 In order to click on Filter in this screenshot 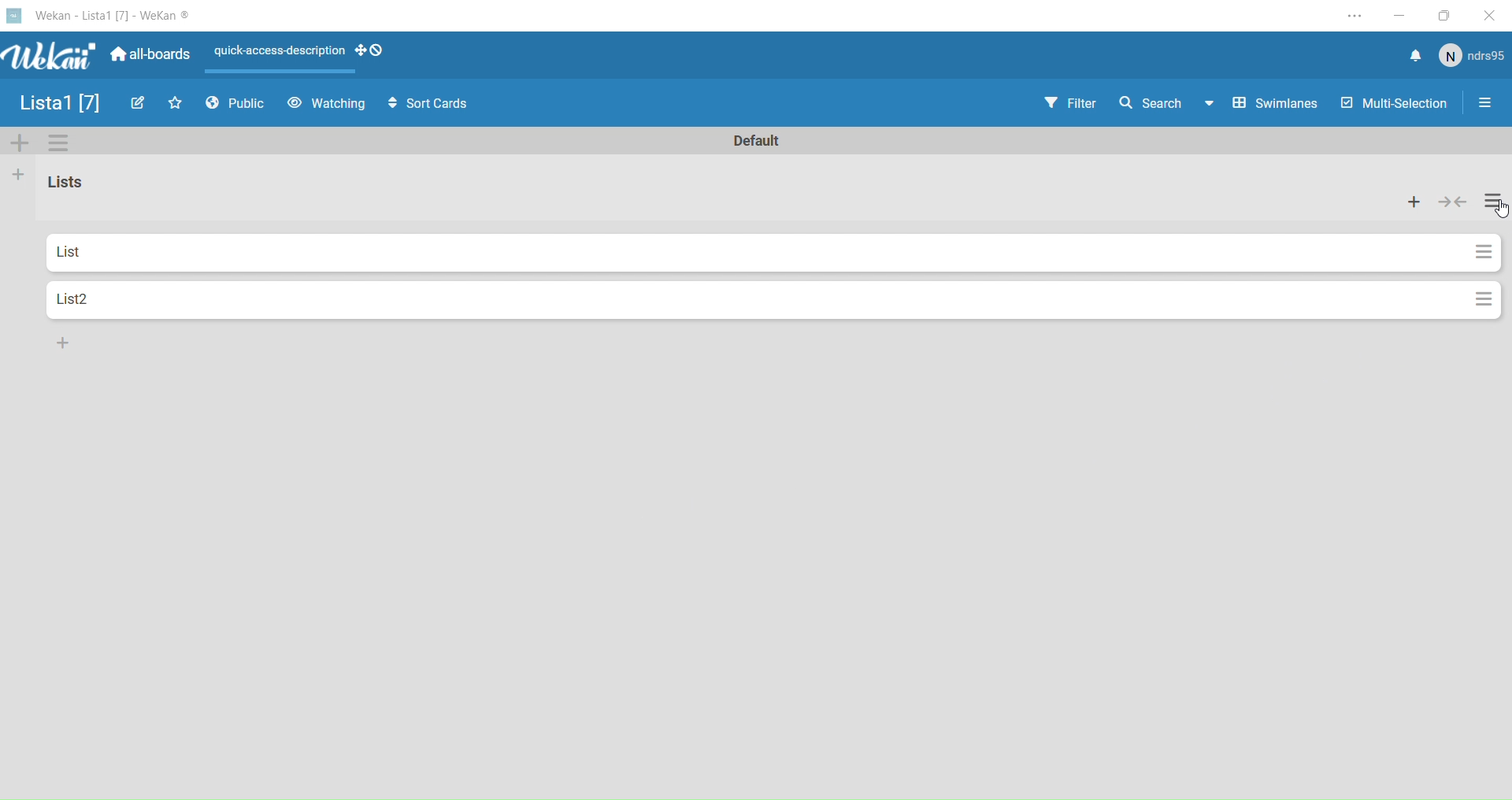, I will do `click(1069, 103)`.